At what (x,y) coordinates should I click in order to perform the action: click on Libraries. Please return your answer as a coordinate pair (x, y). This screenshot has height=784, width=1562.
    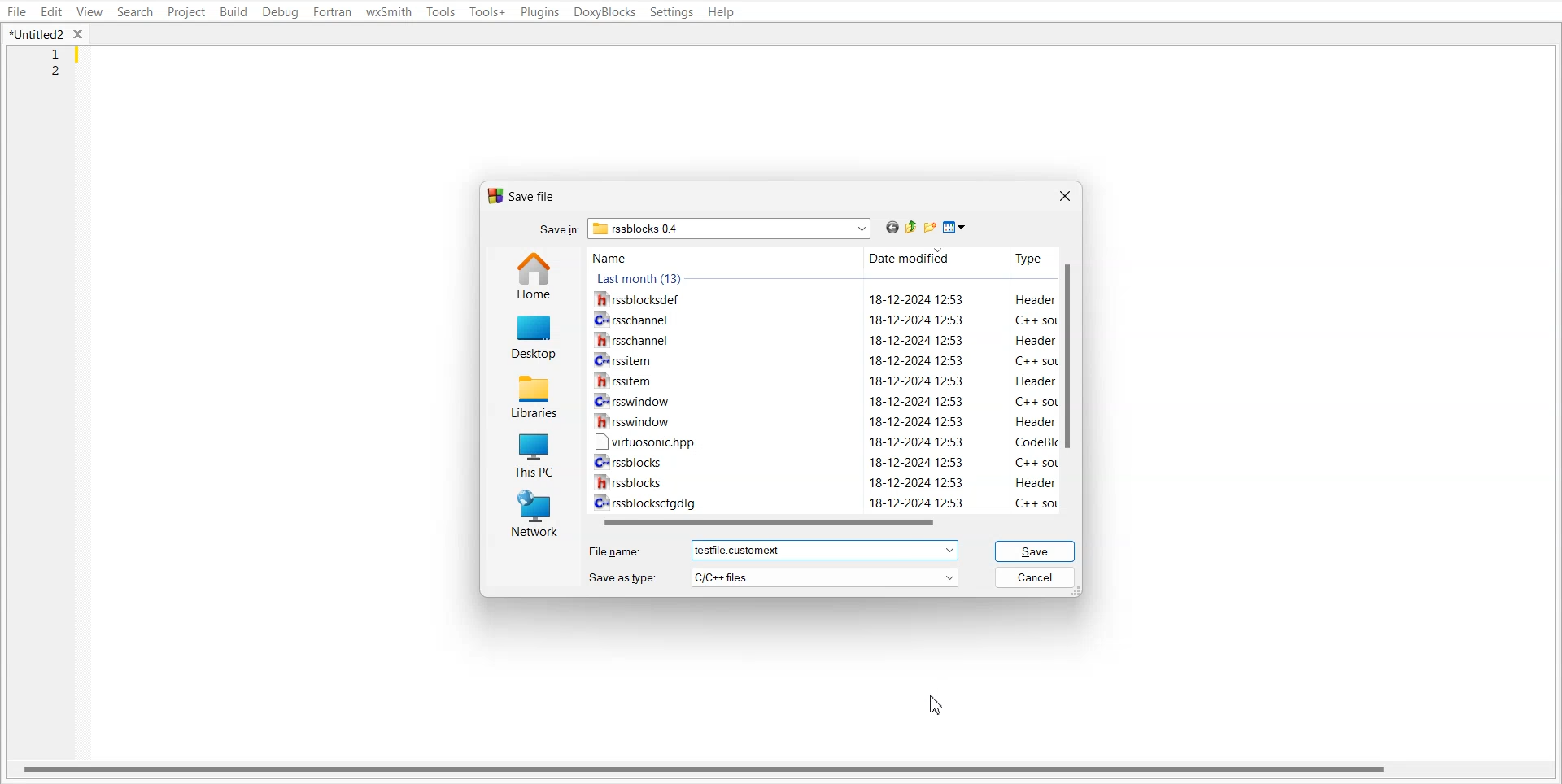
    Looking at the image, I should click on (535, 396).